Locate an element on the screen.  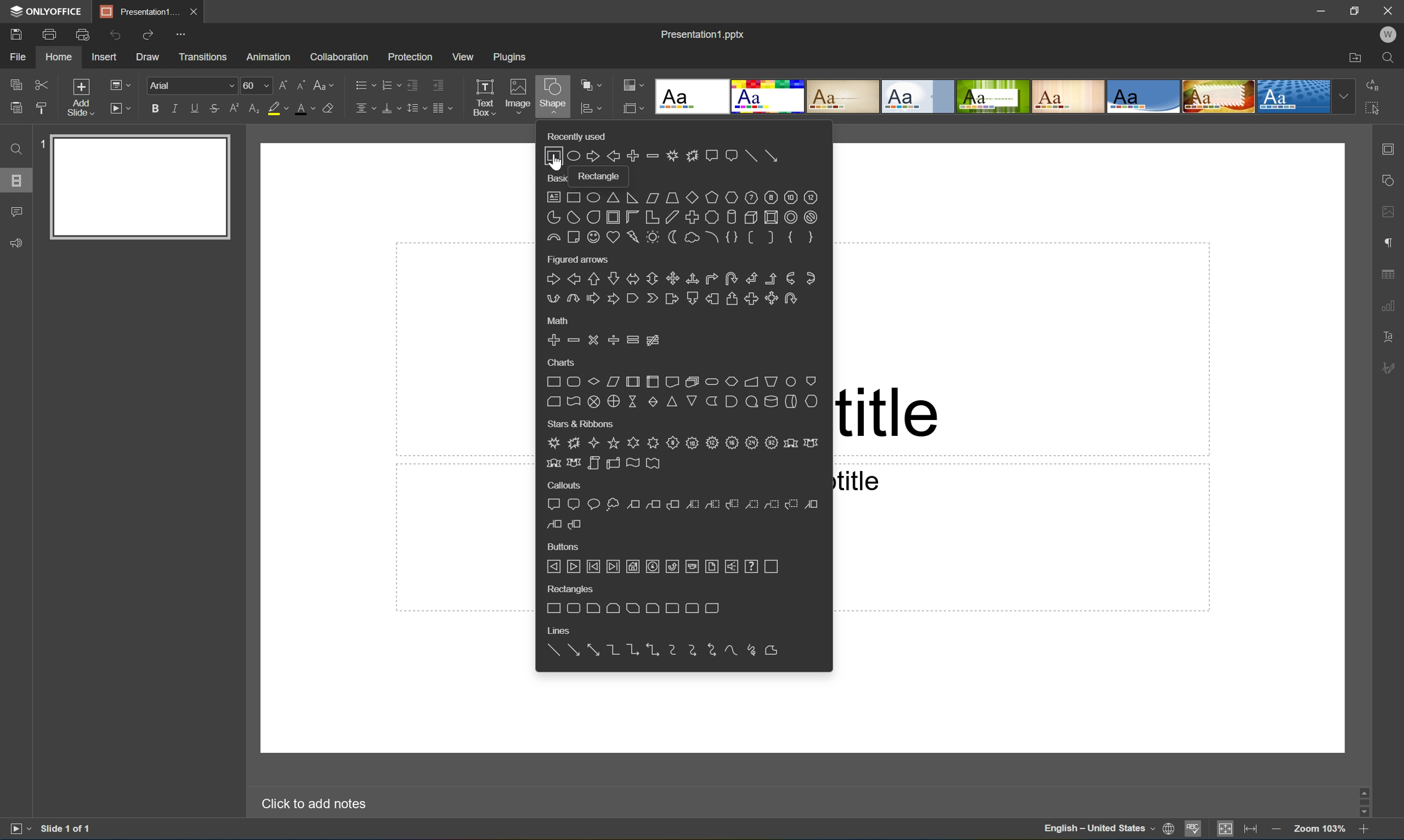
Animation is located at coordinates (271, 58).